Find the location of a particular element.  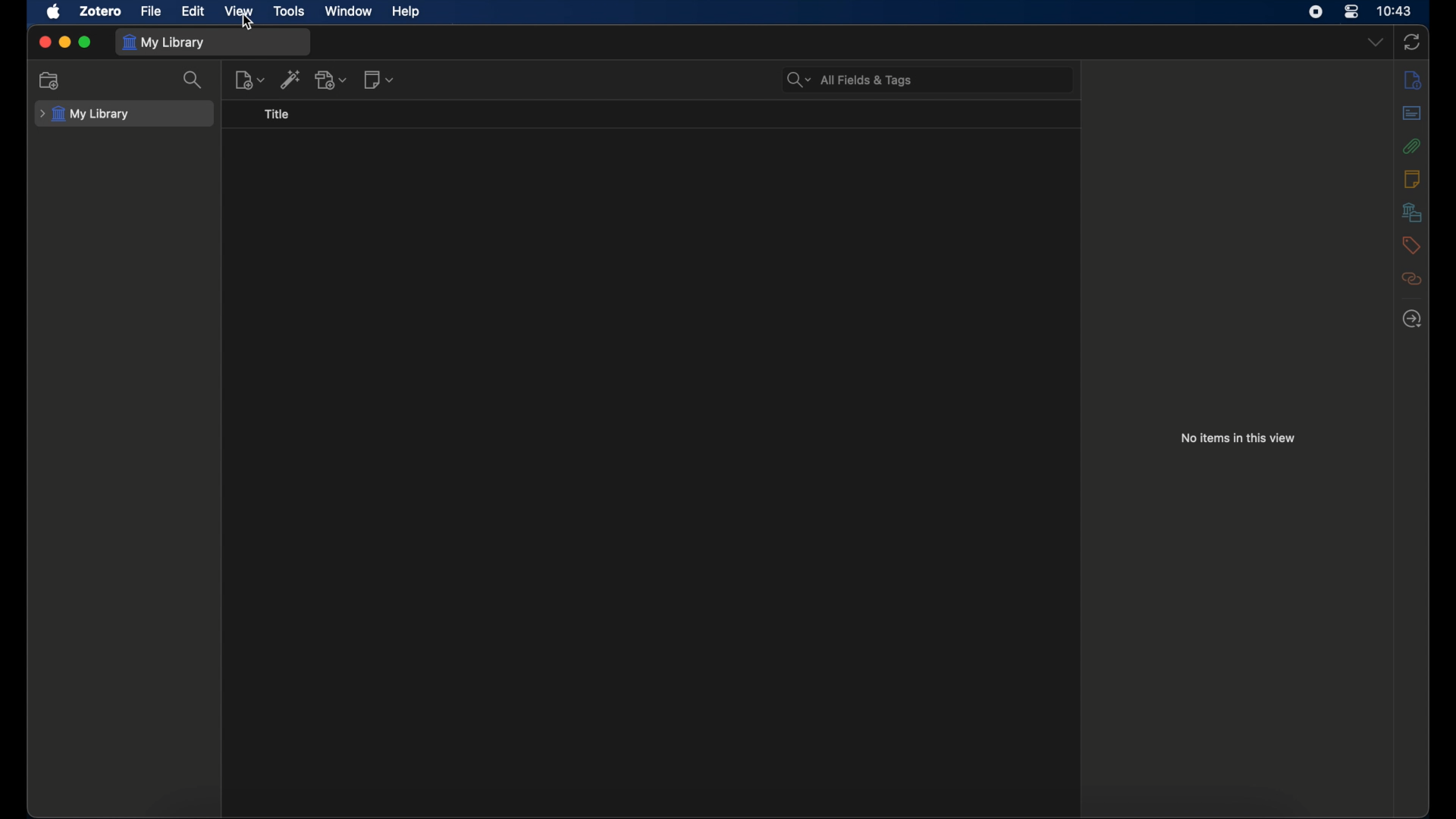

info is located at coordinates (1412, 80).